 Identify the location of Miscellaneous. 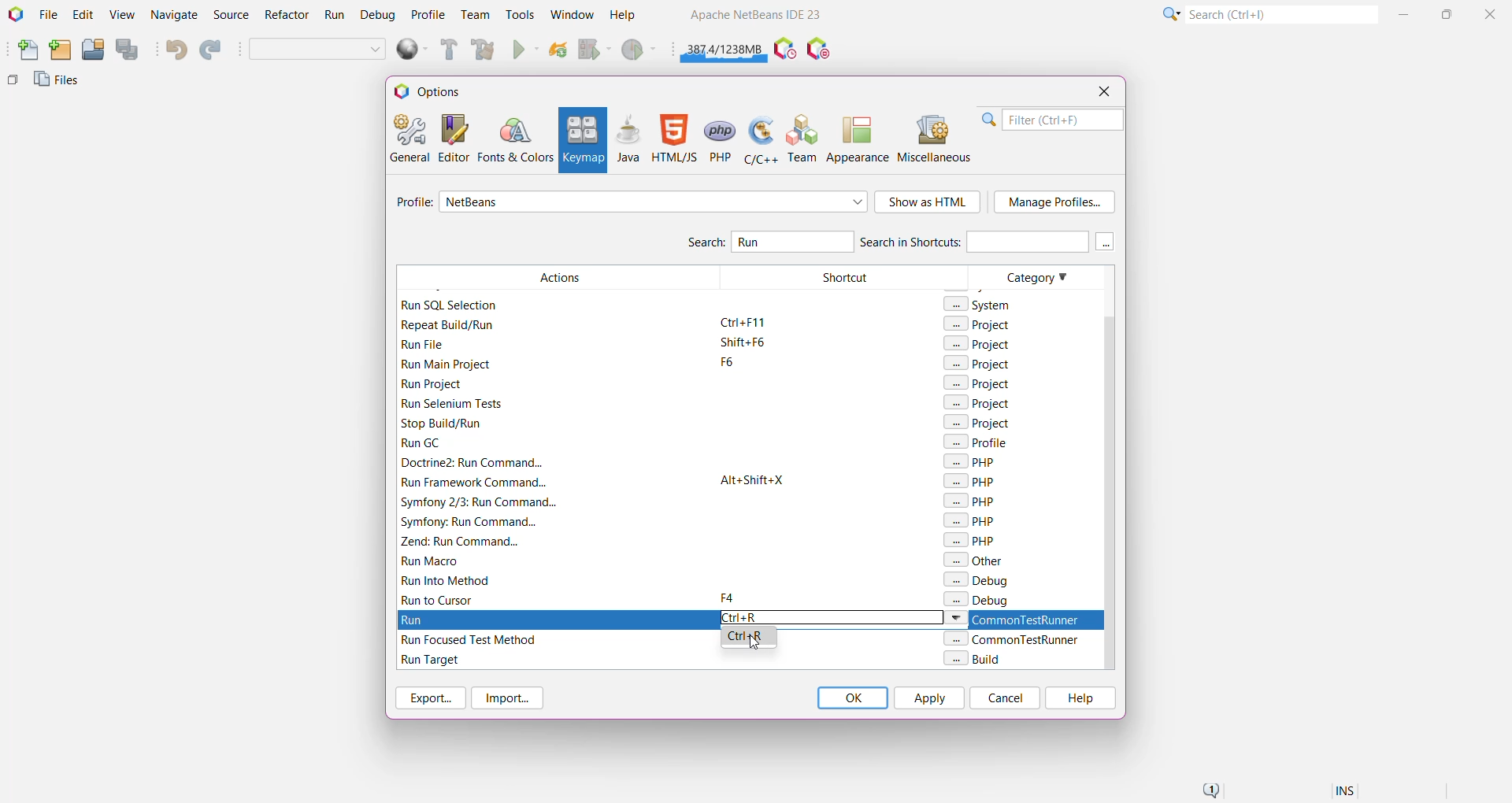
(936, 139).